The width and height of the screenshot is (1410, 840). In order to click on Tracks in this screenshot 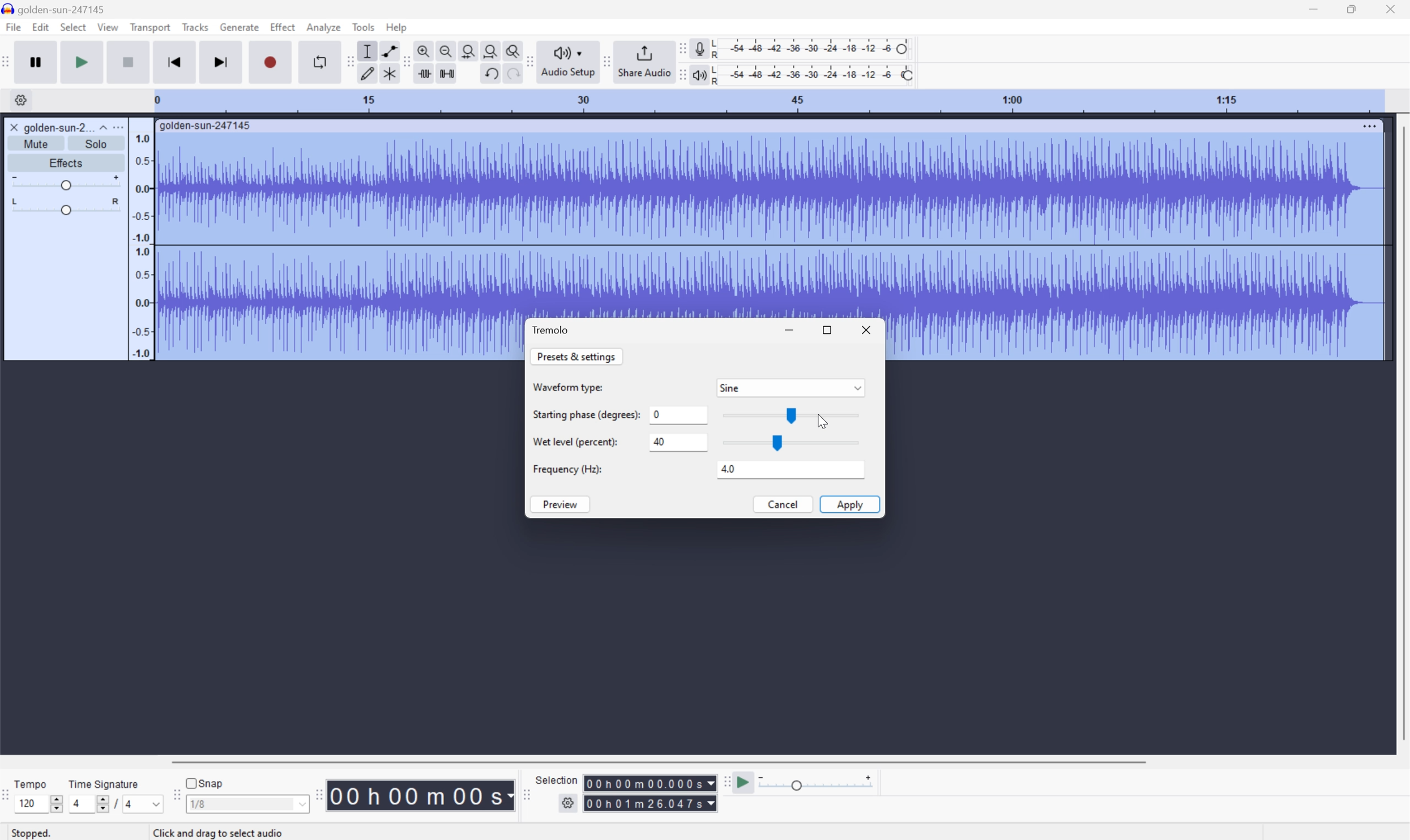, I will do `click(196, 26)`.